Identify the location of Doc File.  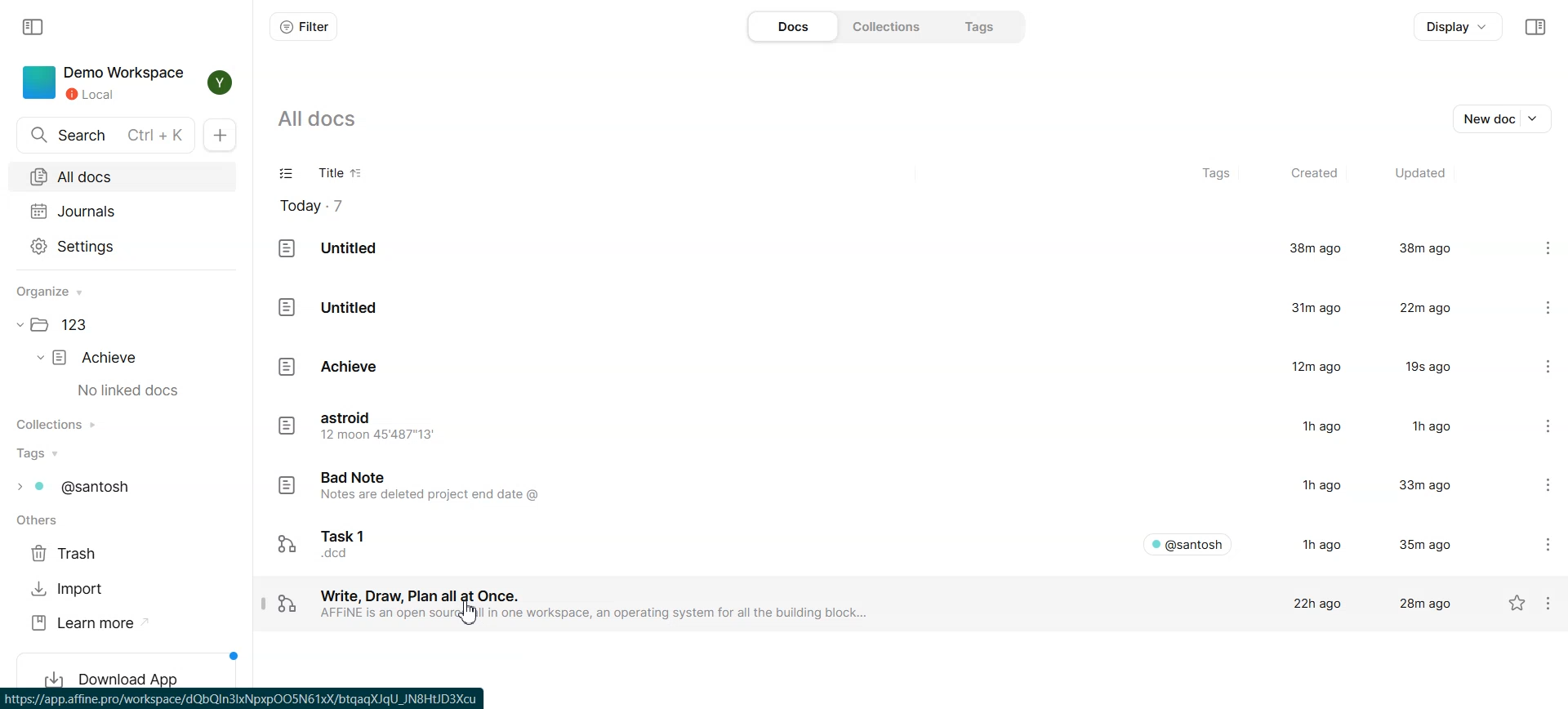
(875, 603).